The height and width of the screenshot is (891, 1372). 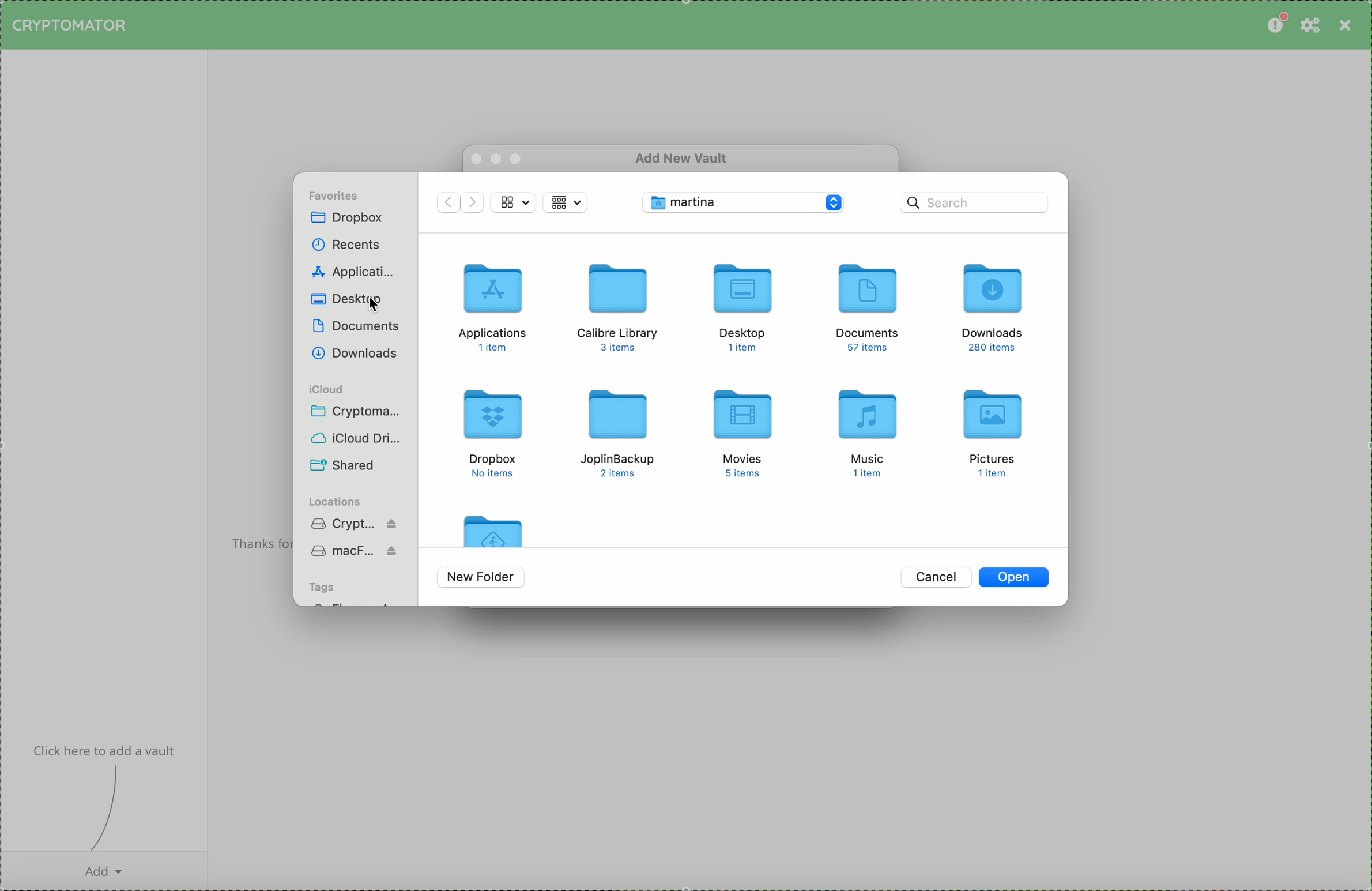 What do you see at coordinates (376, 307) in the screenshot?
I see `mouse pointer` at bounding box center [376, 307].